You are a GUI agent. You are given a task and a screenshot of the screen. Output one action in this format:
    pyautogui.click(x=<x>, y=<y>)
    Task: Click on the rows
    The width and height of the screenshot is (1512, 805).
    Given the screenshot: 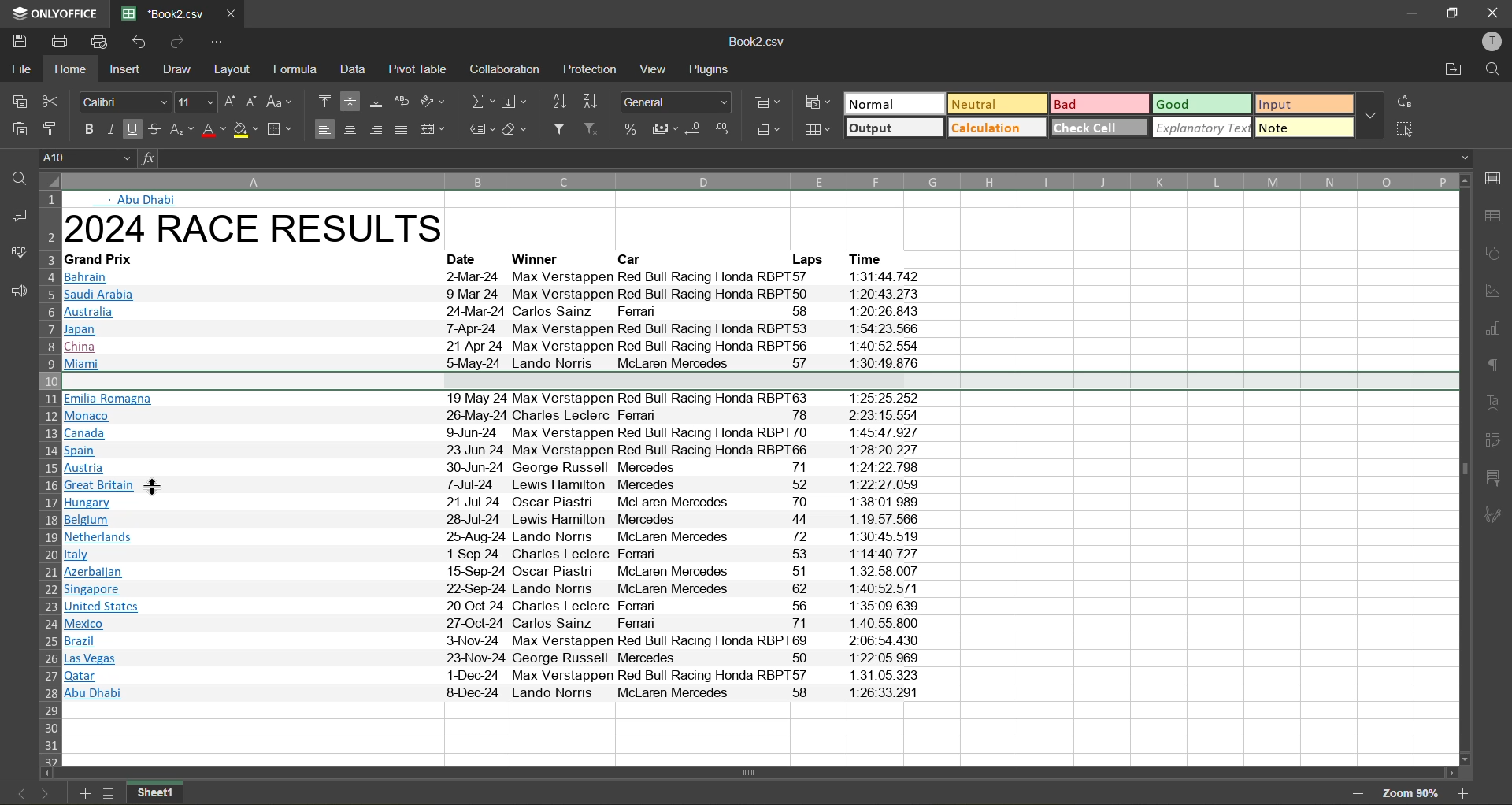 What is the action you would take?
    pyautogui.click(x=48, y=480)
    